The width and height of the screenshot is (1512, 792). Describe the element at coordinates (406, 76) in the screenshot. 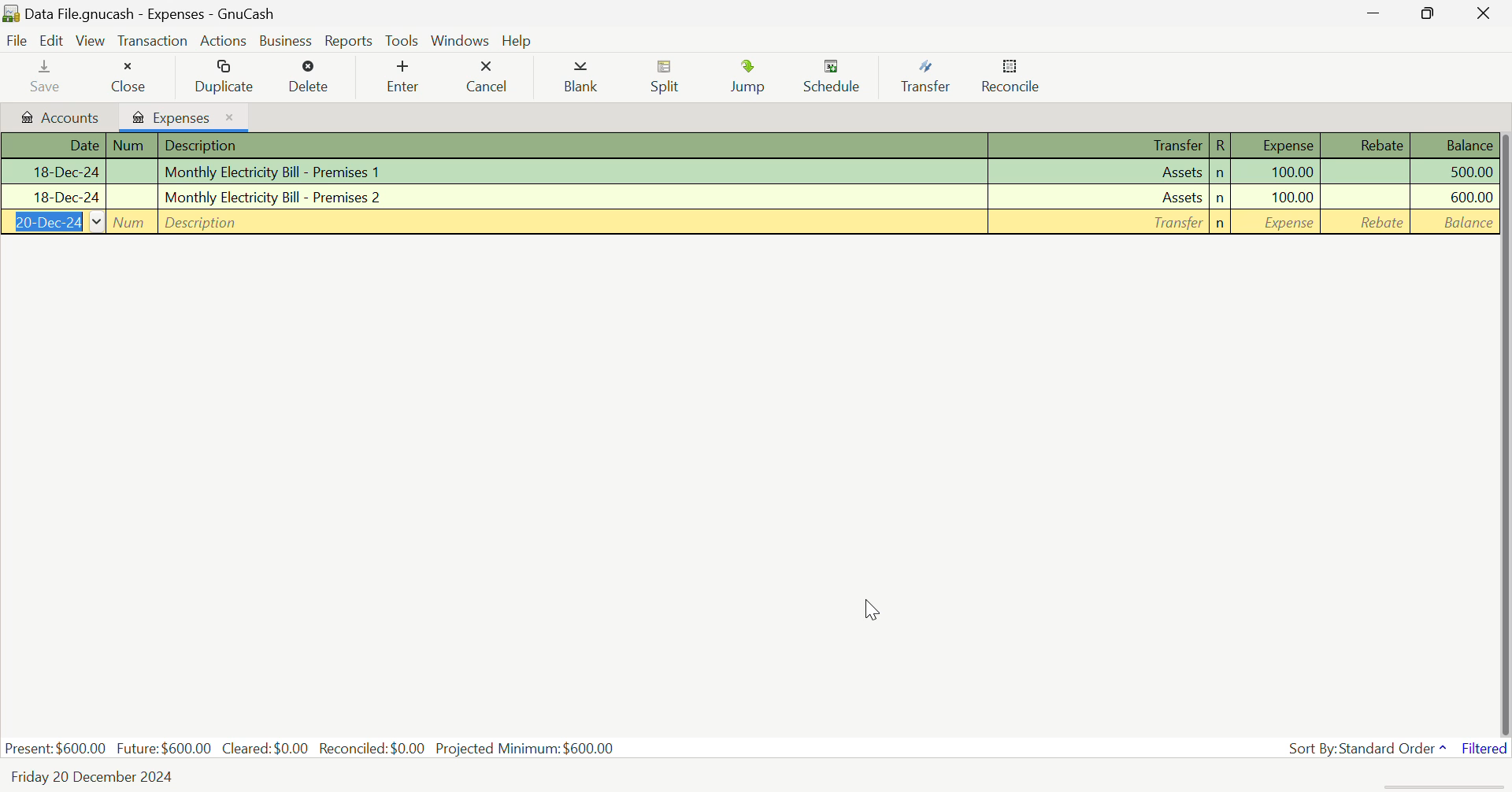

I see `Enter` at that location.